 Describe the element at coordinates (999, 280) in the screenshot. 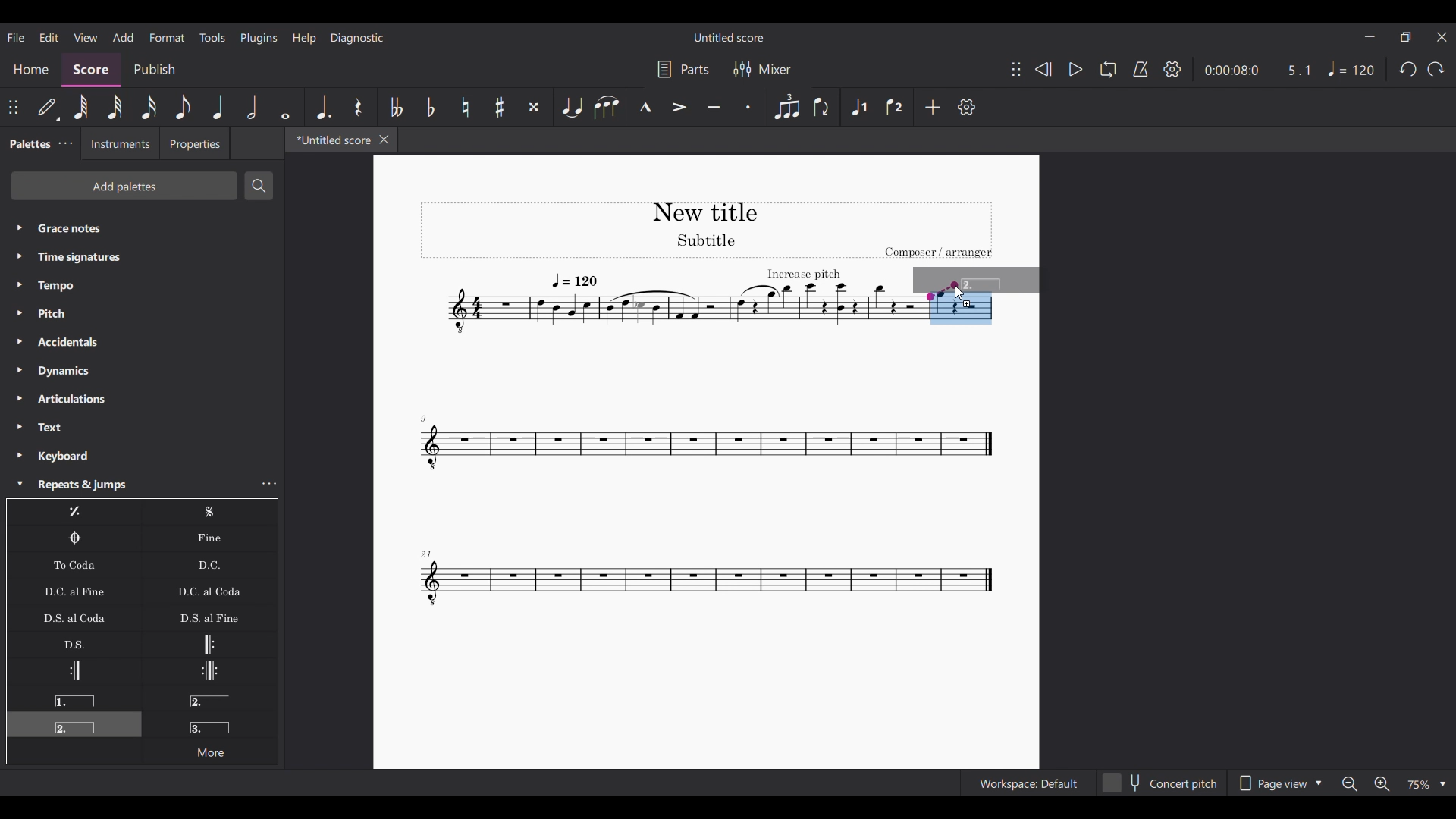

I see `Preview of selection to be added` at that location.